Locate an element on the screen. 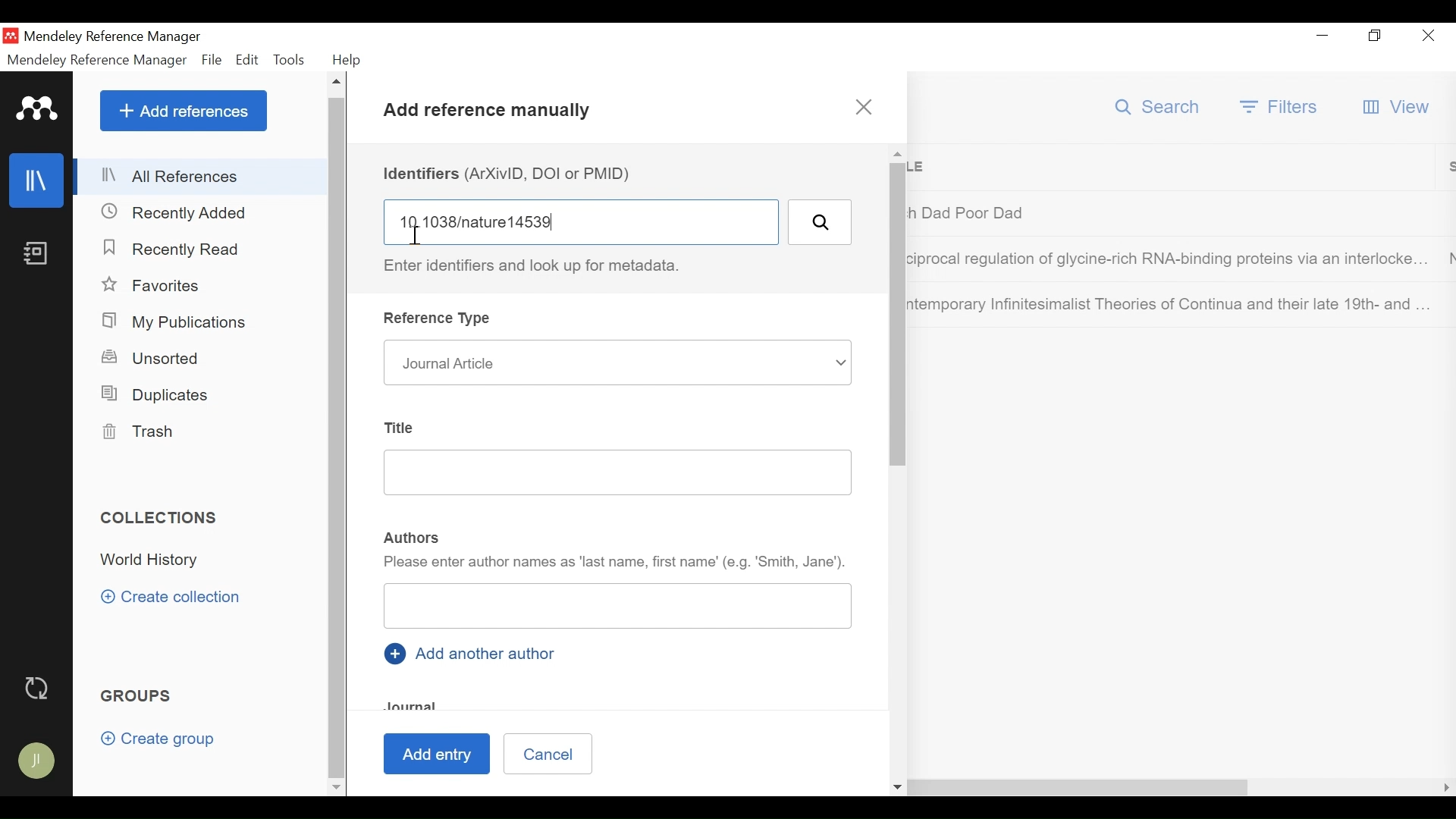 The height and width of the screenshot is (819, 1456). minimize is located at coordinates (1323, 37).